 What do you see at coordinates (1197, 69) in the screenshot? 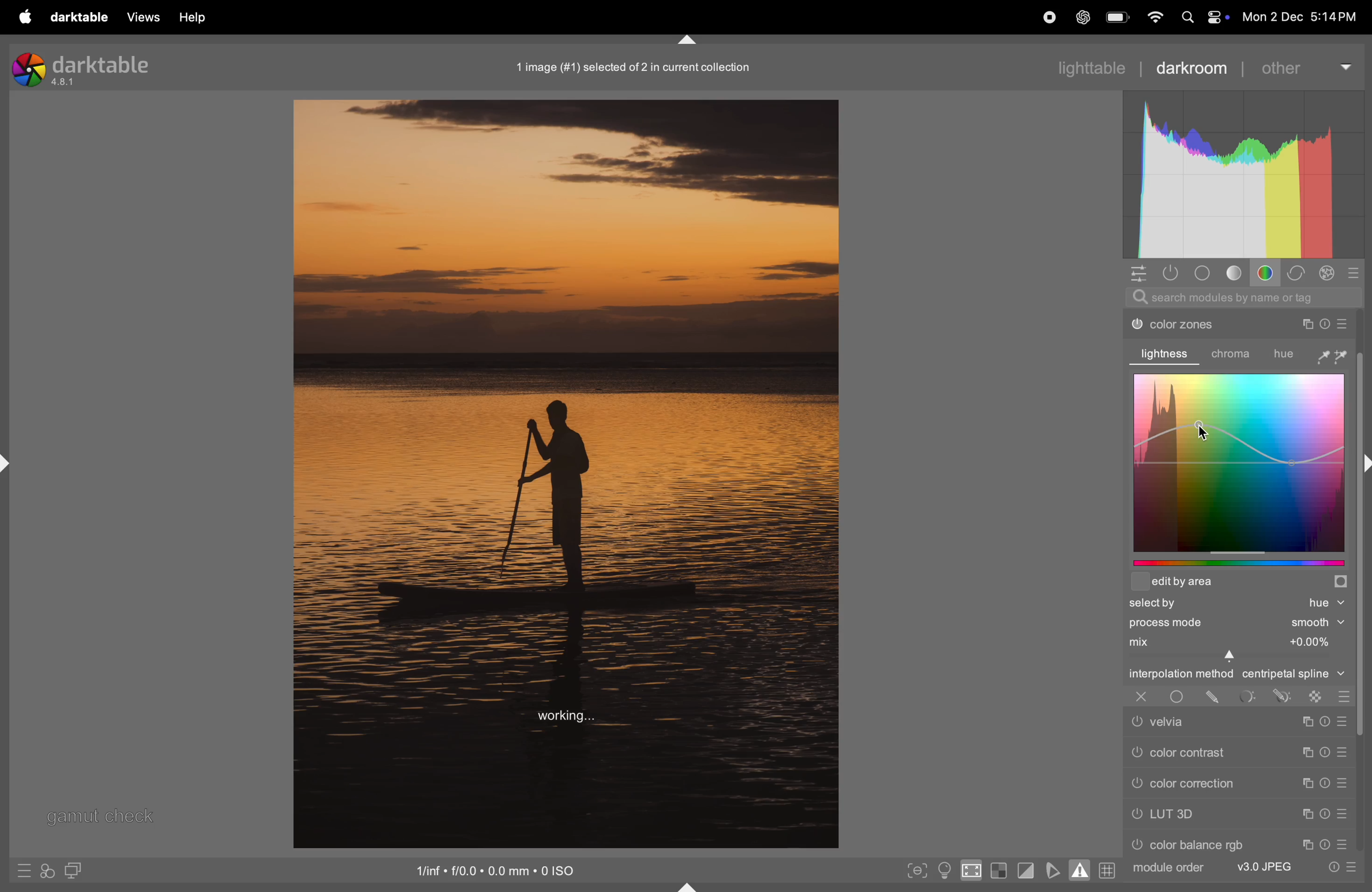
I see `darkroom` at bounding box center [1197, 69].